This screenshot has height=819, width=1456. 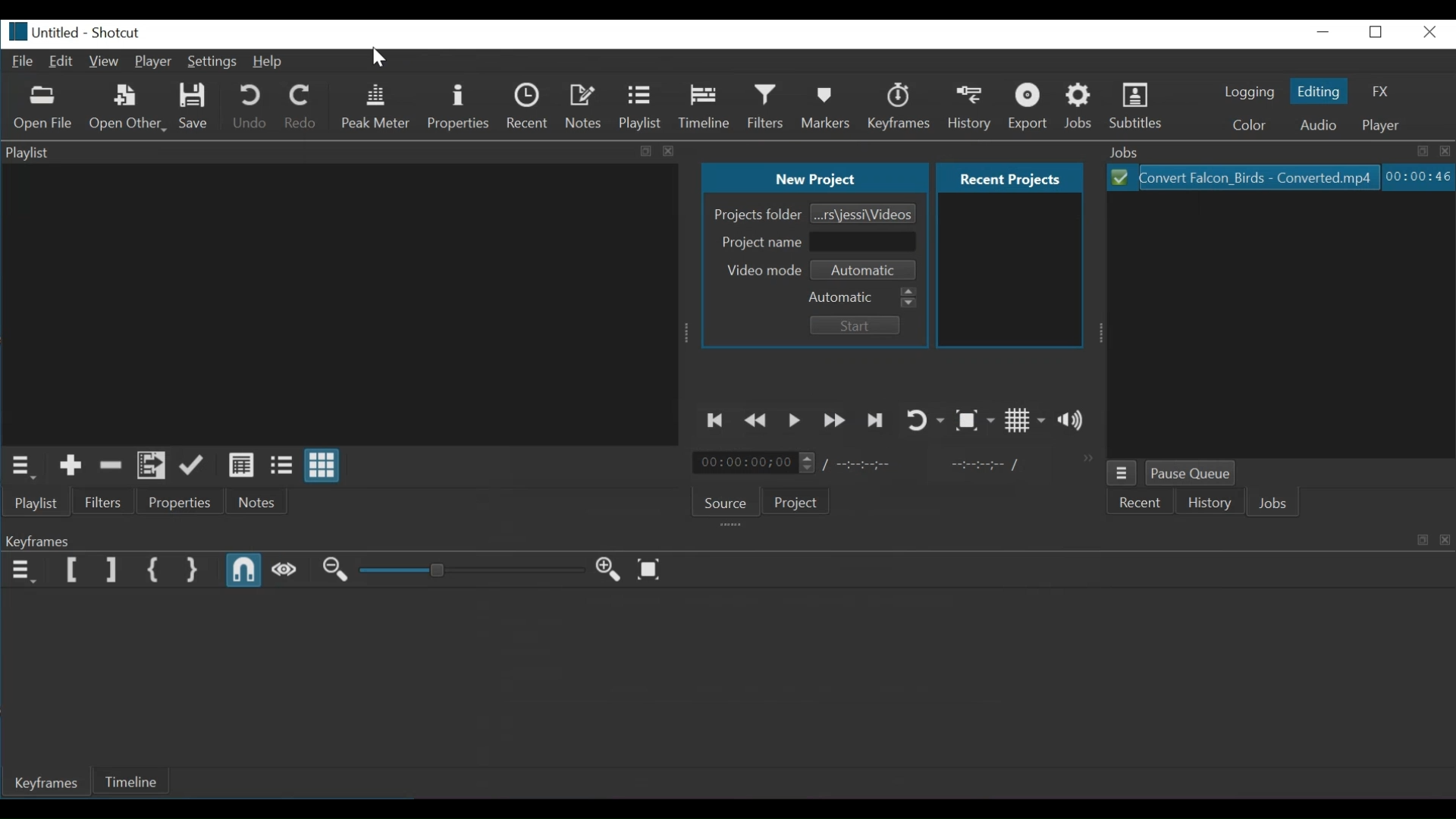 I want to click on Toggle grid display on the player, so click(x=1027, y=420).